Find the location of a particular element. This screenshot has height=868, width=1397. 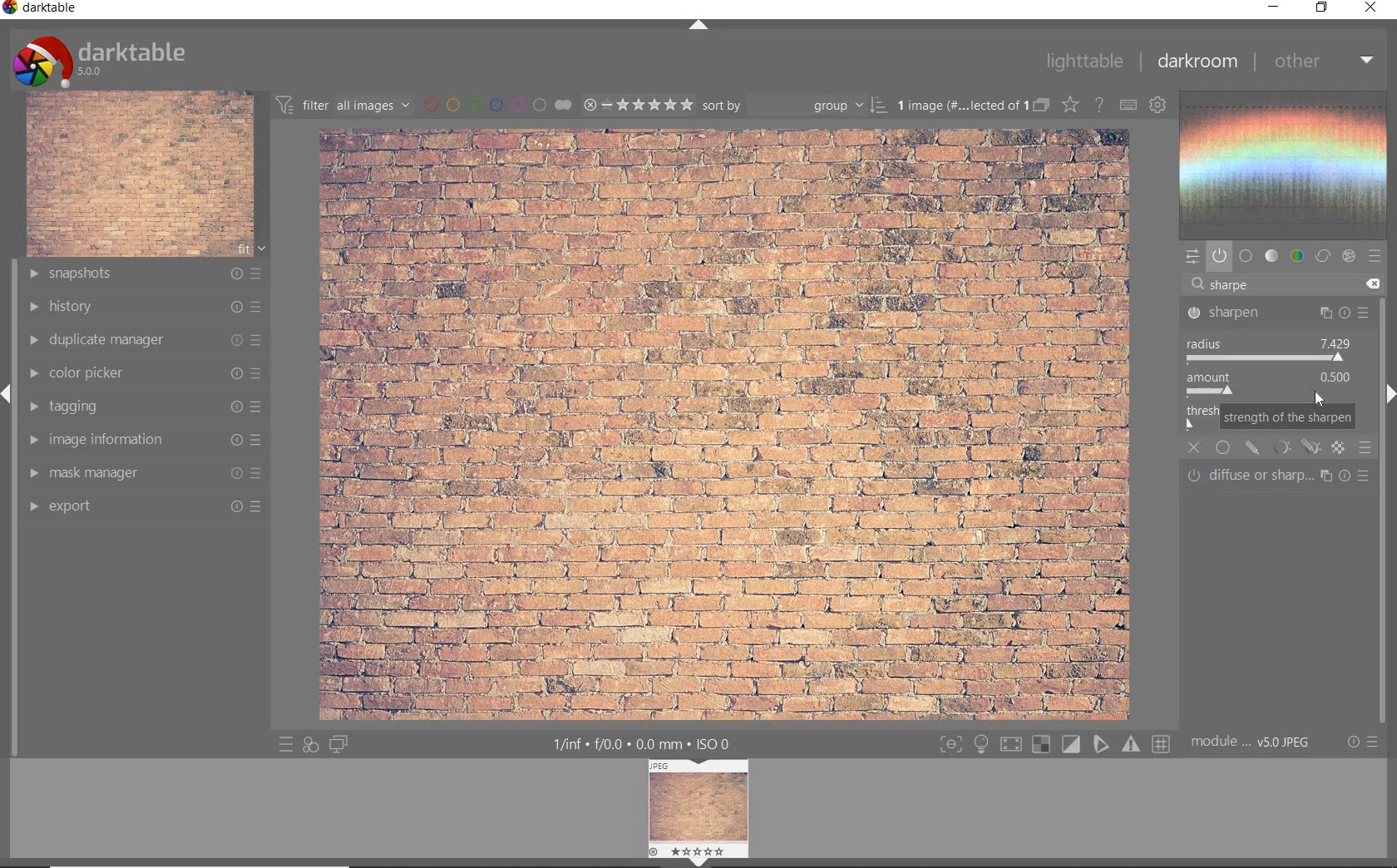

display a second darkroom image widow is located at coordinates (340, 744).